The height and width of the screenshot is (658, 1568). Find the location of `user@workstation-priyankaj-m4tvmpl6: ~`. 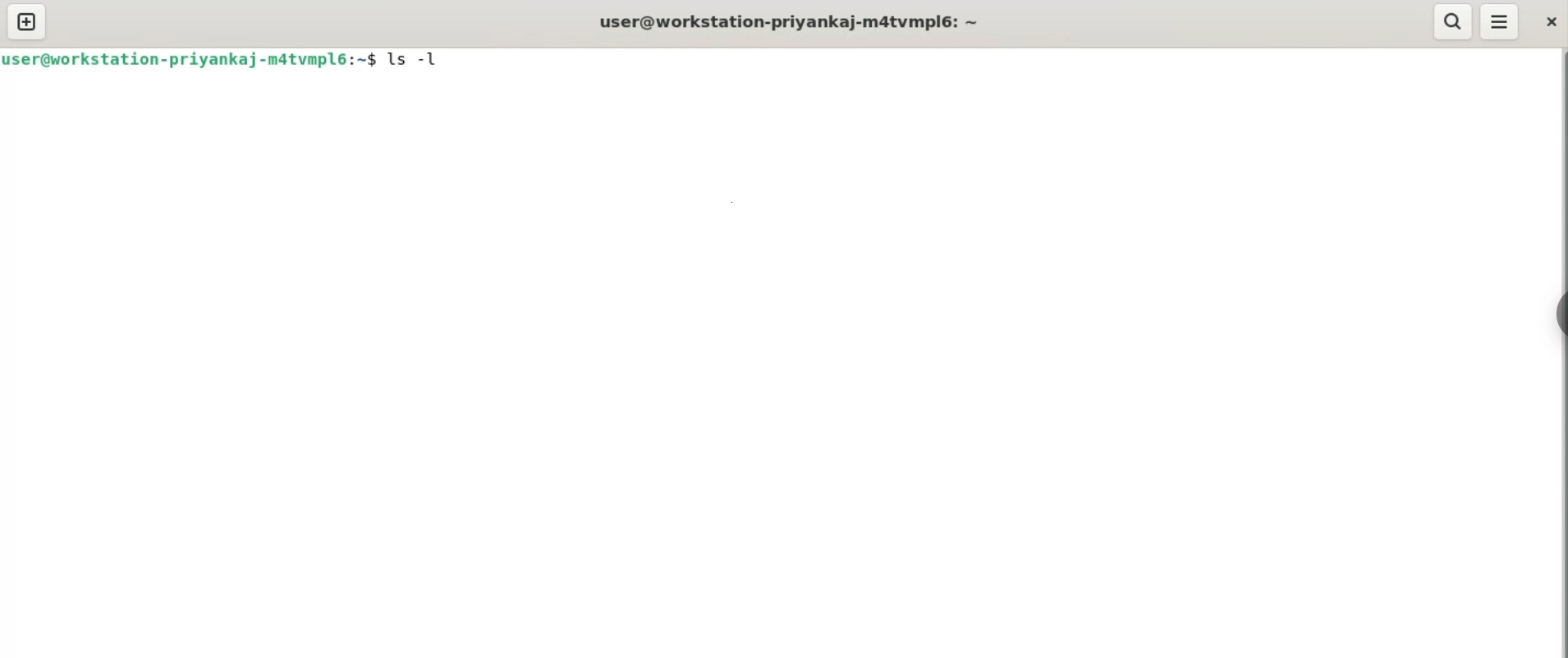

user@workstation-priyankaj-m4tvmpl6: ~ is located at coordinates (795, 23).